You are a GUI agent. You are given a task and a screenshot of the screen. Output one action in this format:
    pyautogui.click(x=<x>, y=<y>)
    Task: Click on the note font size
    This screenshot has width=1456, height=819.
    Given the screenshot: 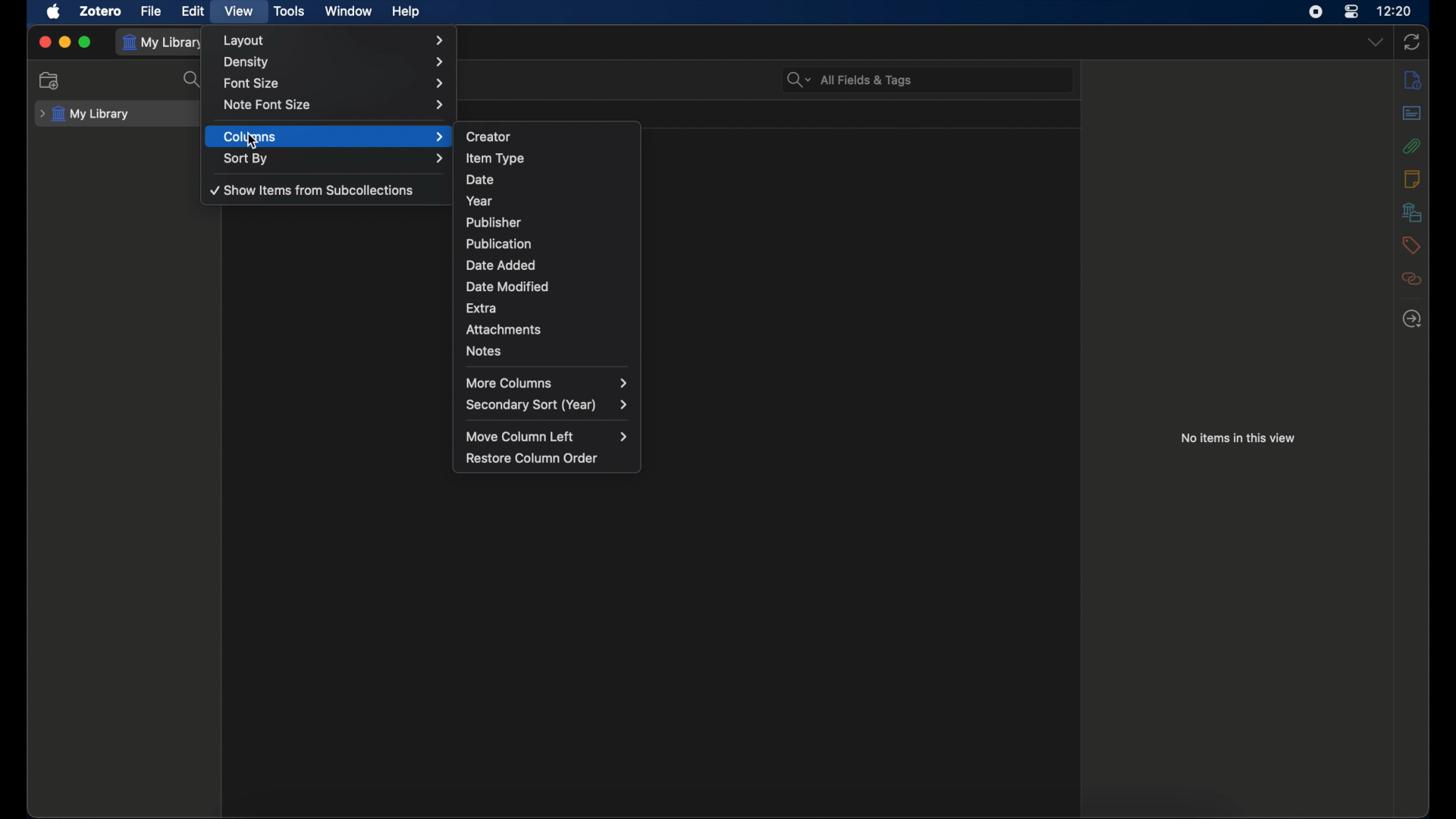 What is the action you would take?
    pyautogui.click(x=335, y=105)
    